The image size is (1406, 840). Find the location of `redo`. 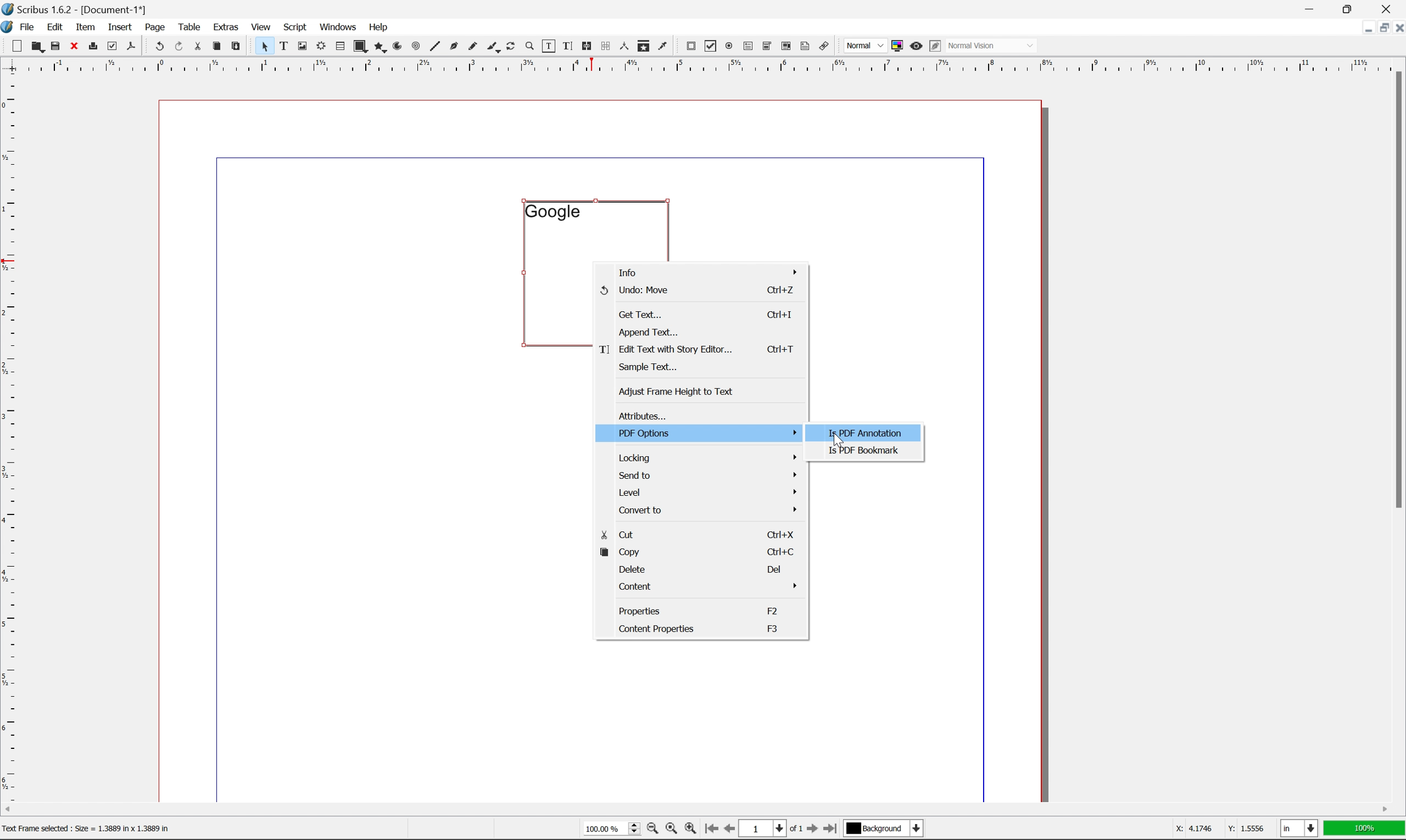

redo is located at coordinates (180, 47).